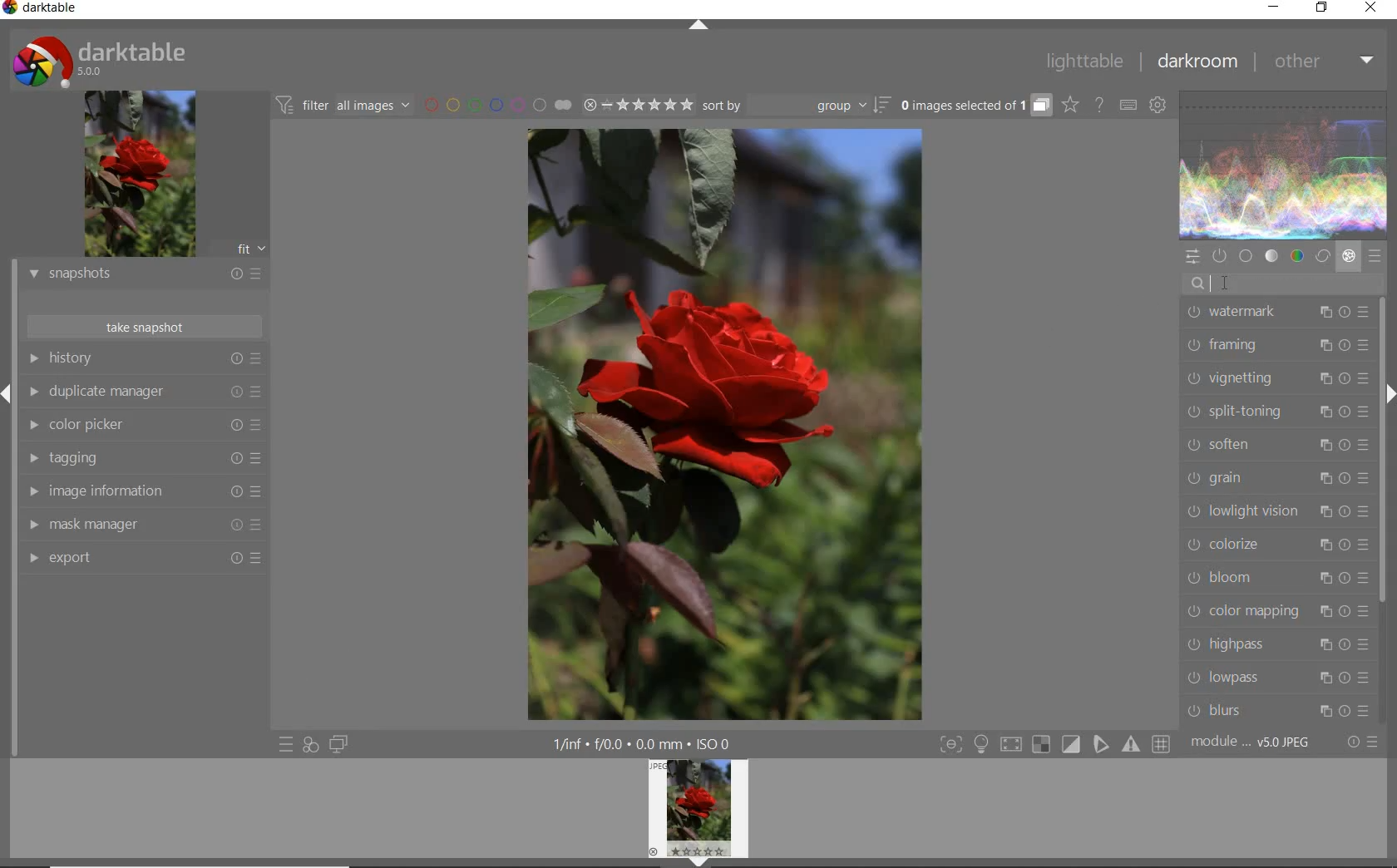 The height and width of the screenshot is (868, 1397). I want to click on effect, so click(1348, 257).